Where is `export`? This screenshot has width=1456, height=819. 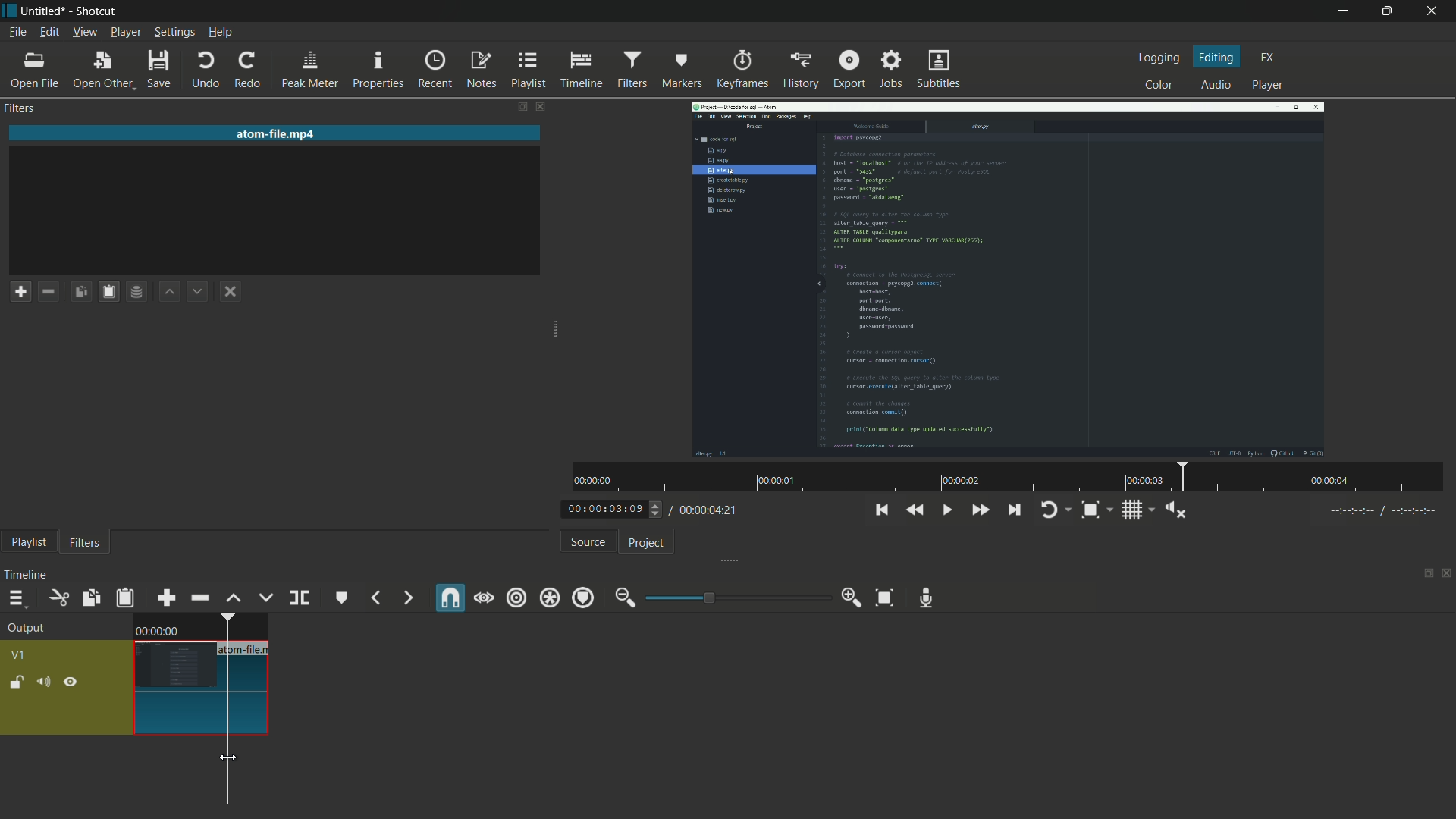
export is located at coordinates (849, 71).